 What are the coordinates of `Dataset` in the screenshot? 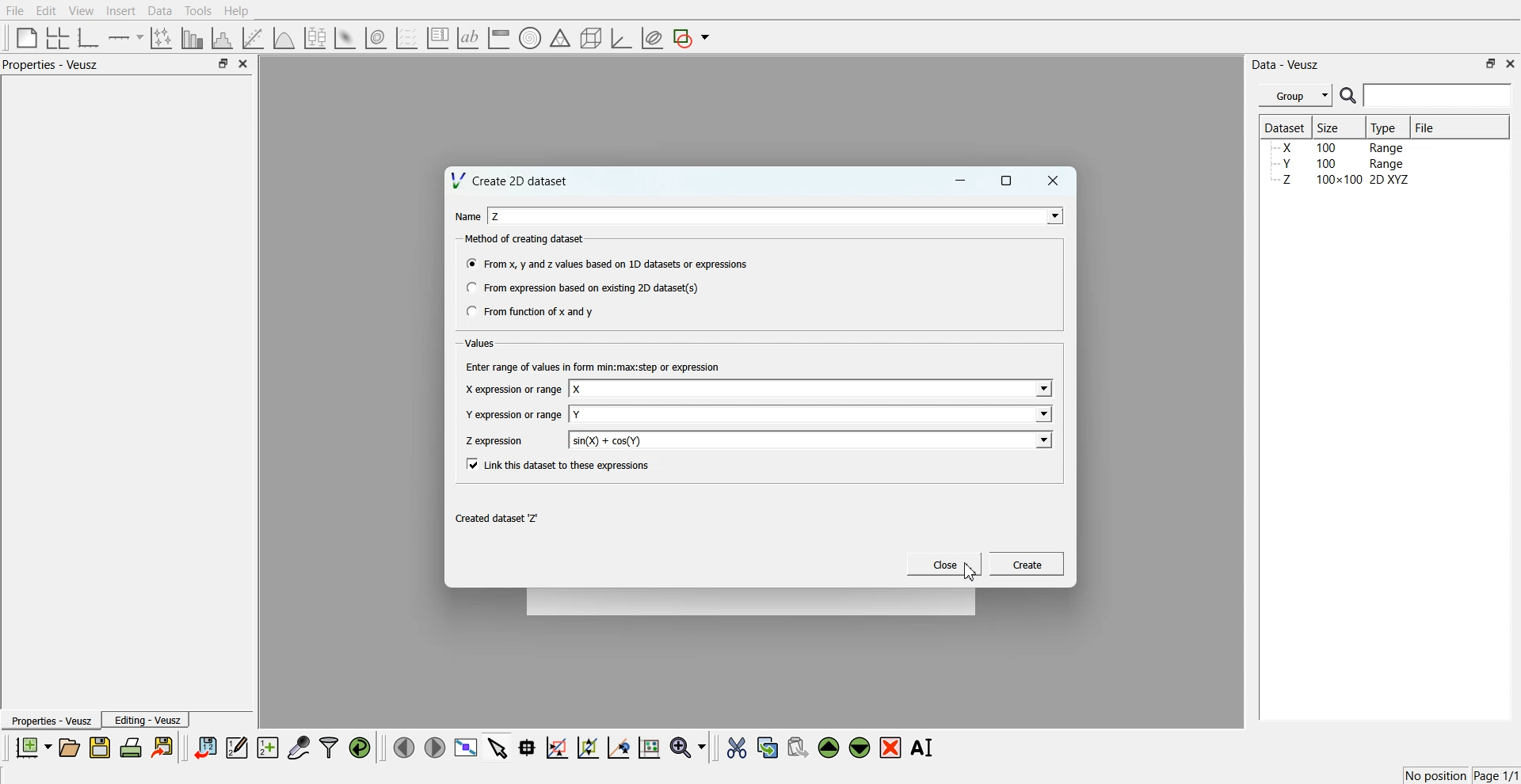 It's located at (1285, 127).